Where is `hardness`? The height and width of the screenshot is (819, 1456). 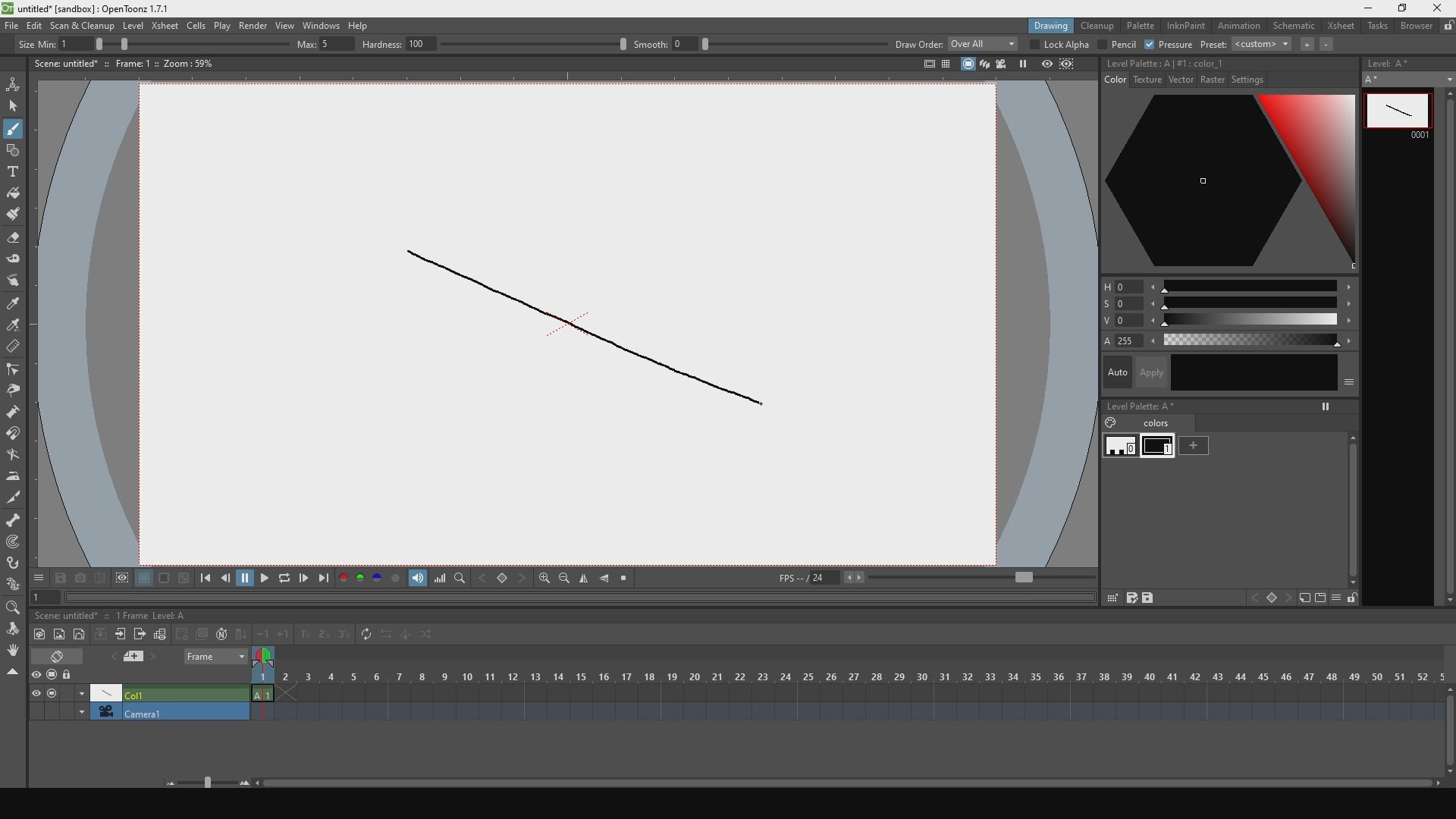 hardness is located at coordinates (491, 44).